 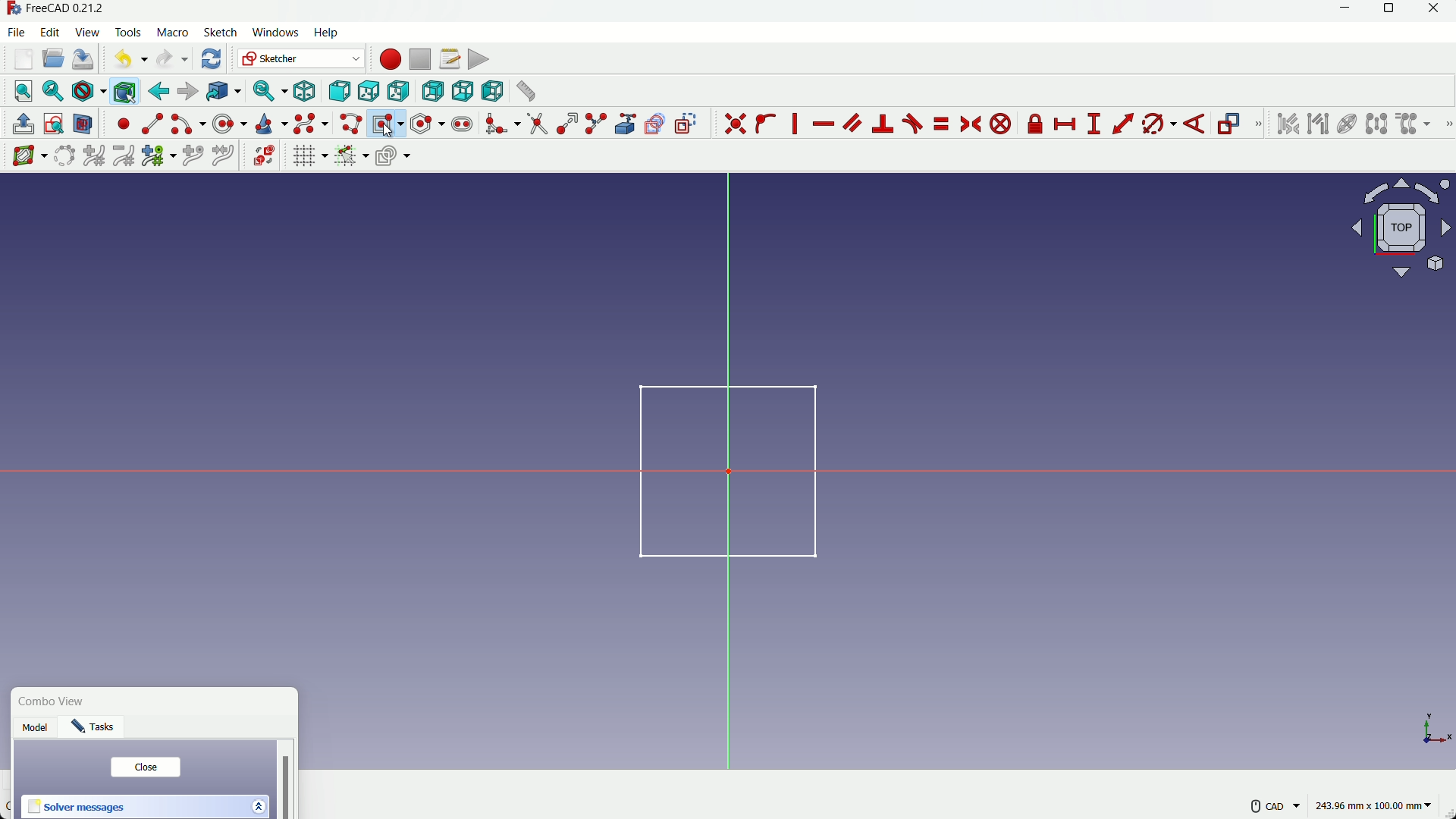 What do you see at coordinates (1094, 124) in the screenshot?
I see `constraint vertical distance` at bounding box center [1094, 124].